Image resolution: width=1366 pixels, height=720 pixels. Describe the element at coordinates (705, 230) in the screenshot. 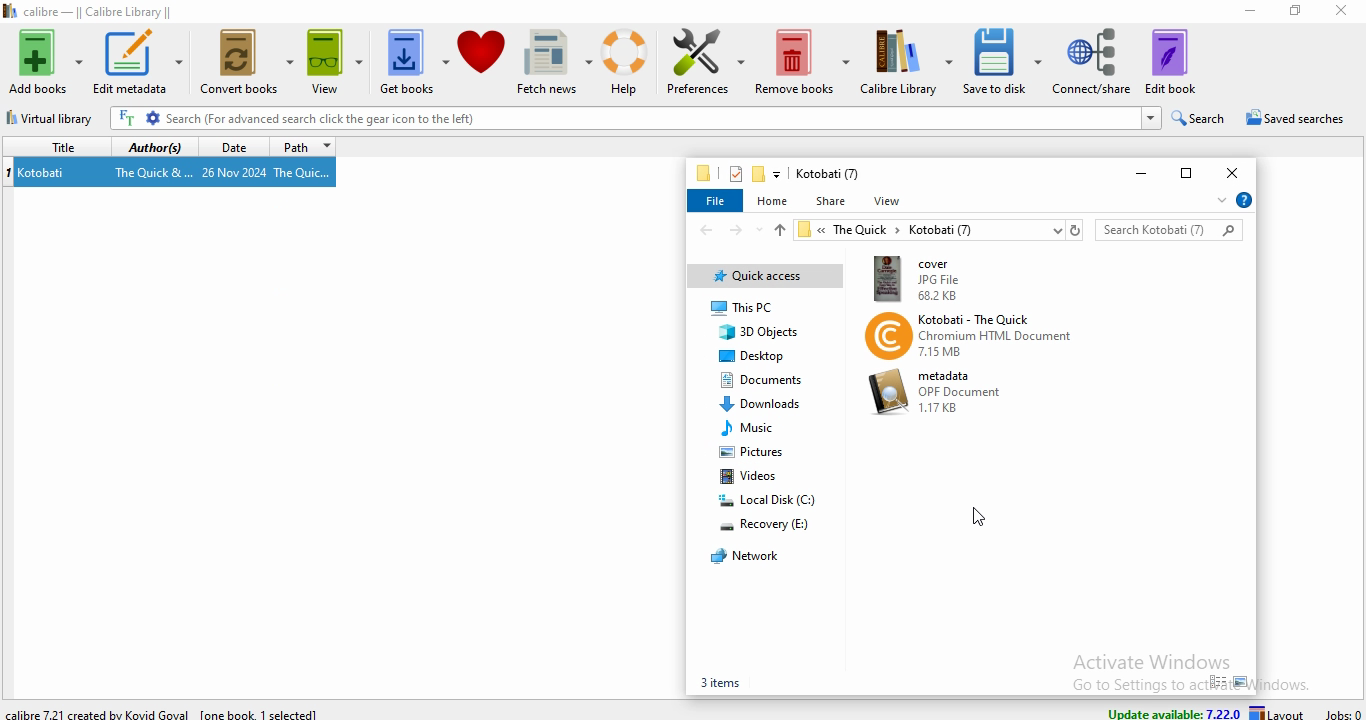

I see `back file path` at that location.